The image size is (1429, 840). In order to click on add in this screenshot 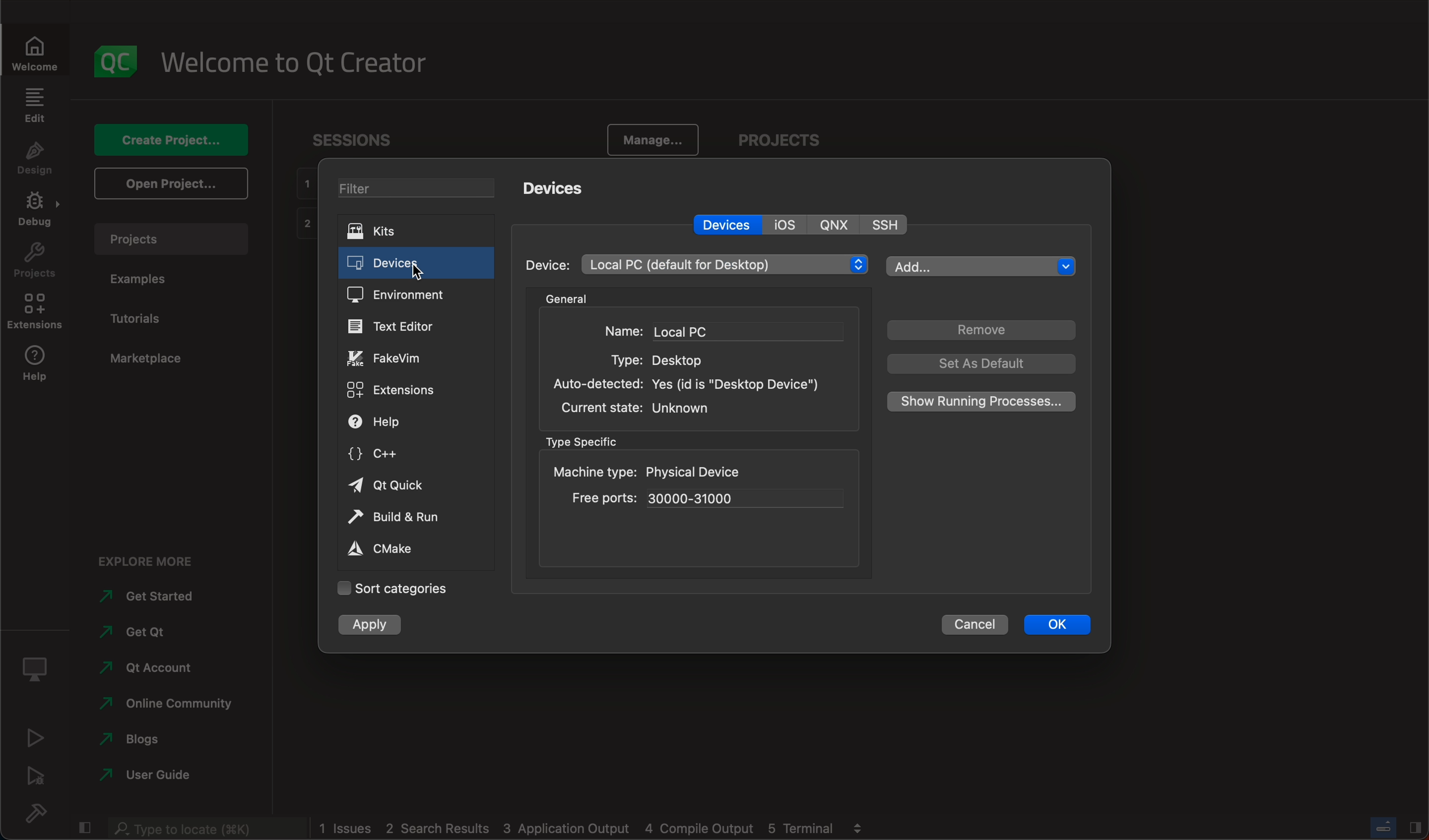, I will do `click(980, 265)`.